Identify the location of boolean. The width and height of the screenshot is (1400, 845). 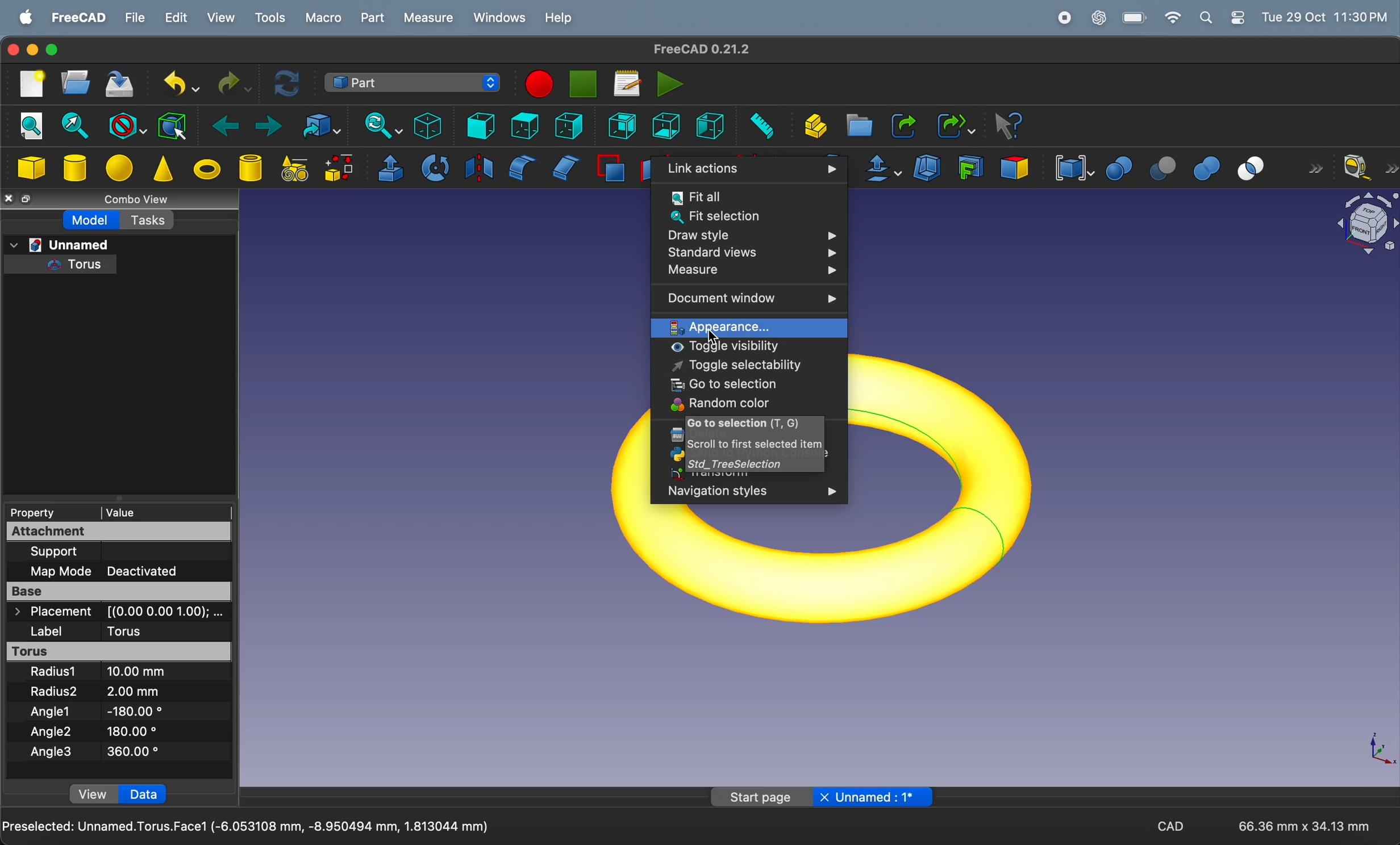
(1119, 166).